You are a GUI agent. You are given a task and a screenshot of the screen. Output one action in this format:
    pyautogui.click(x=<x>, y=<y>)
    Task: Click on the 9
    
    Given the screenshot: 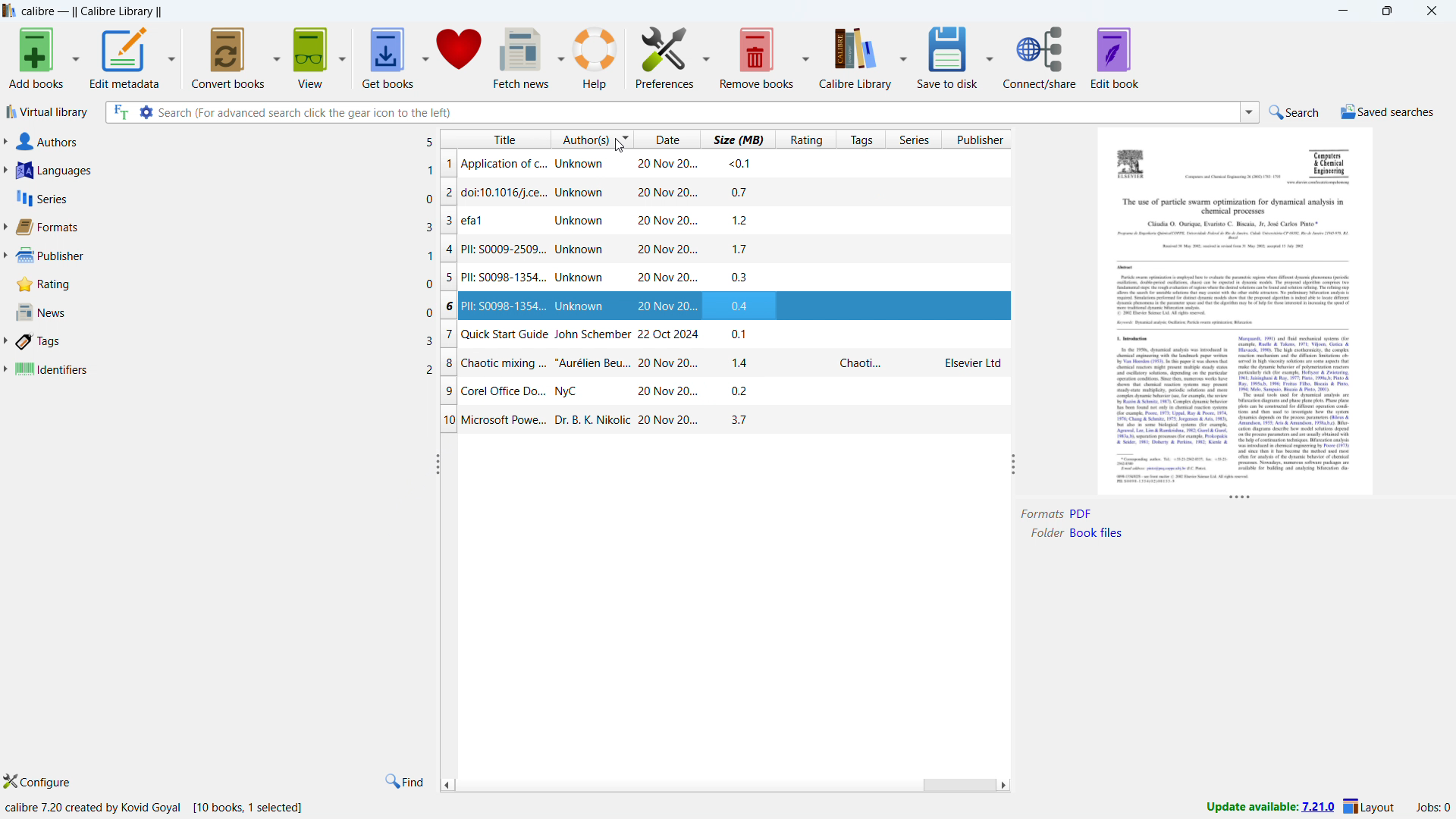 What is the action you would take?
    pyautogui.click(x=449, y=393)
    